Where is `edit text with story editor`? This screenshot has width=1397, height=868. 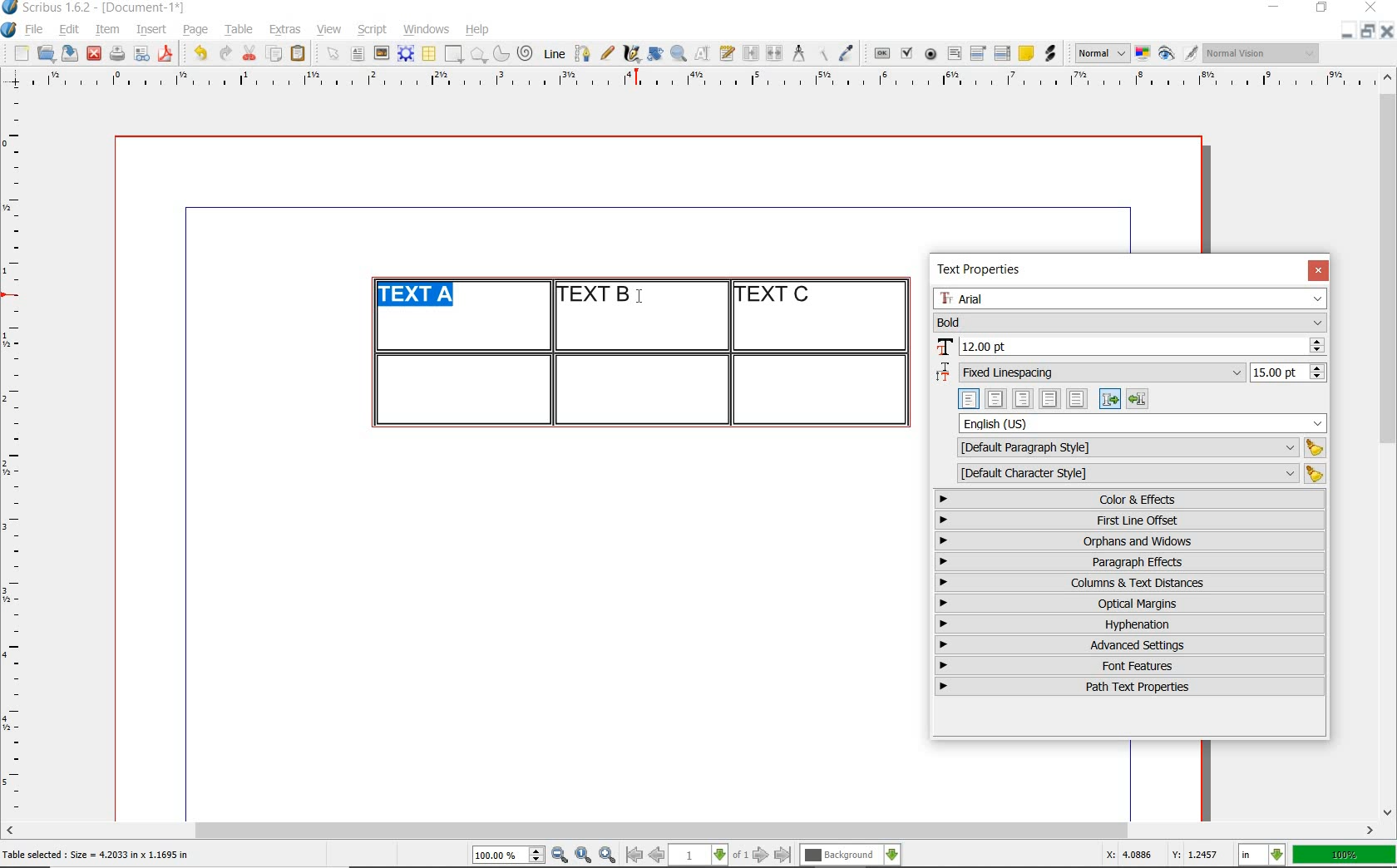
edit text with story editor is located at coordinates (727, 52).